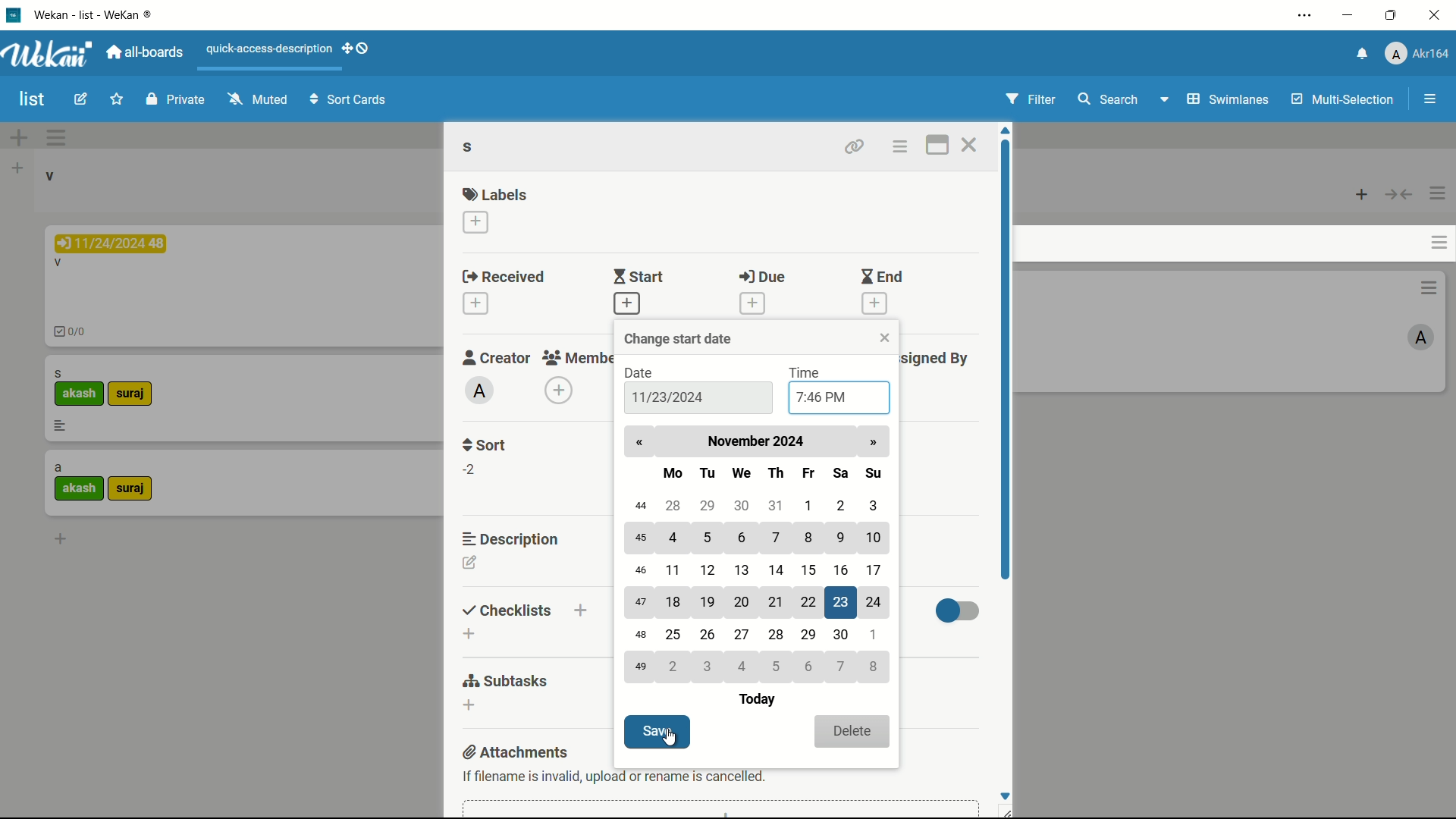 The height and width of the screenshot is (819, 1456). Describe the element at coordinates (485, 444) in the screenshot. I see `sort` at that location.